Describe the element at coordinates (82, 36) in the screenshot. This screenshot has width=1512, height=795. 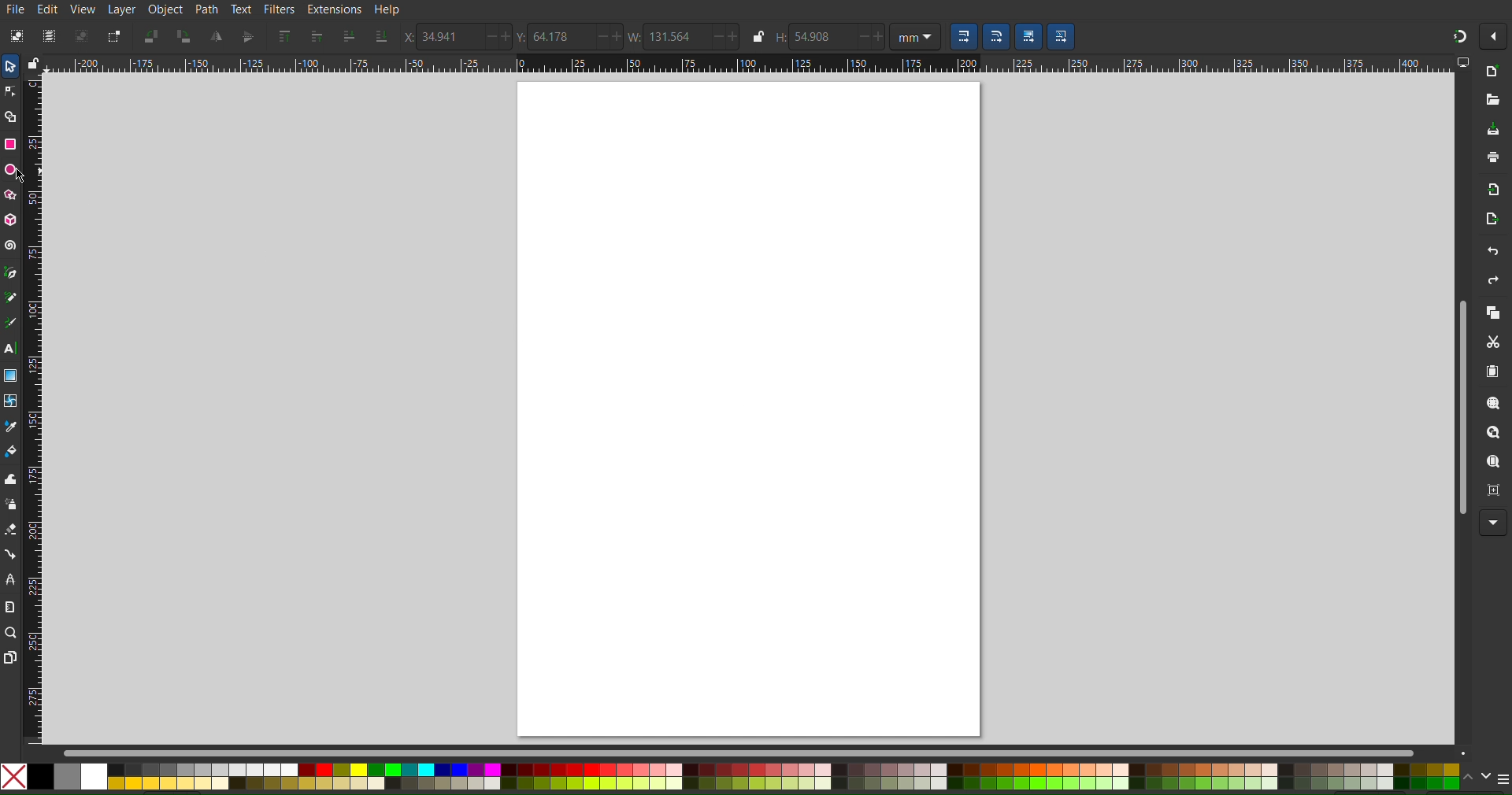
I see `Deselect` at that location.